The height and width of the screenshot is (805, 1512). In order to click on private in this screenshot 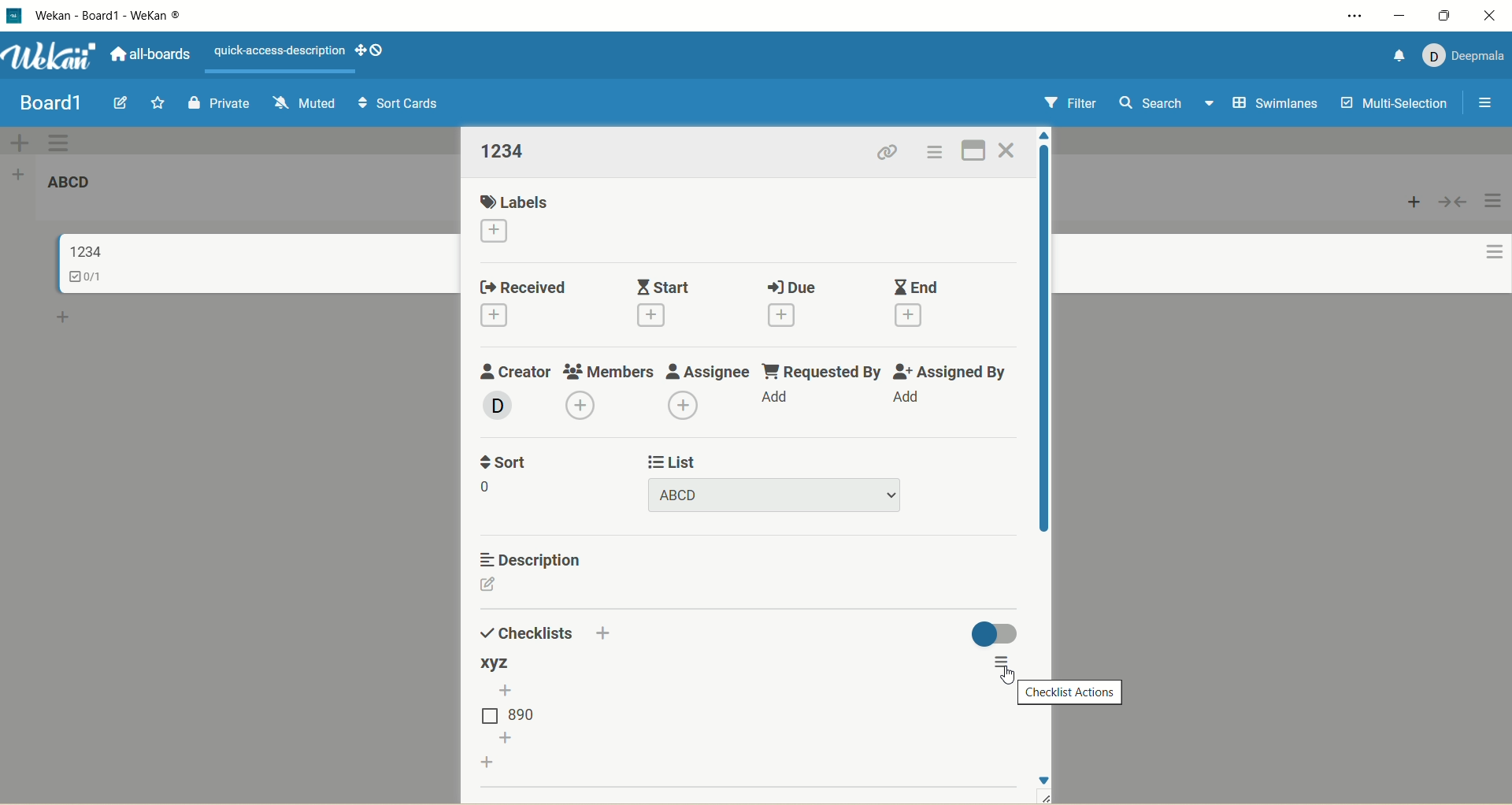, I will do `click(220, 102)`.